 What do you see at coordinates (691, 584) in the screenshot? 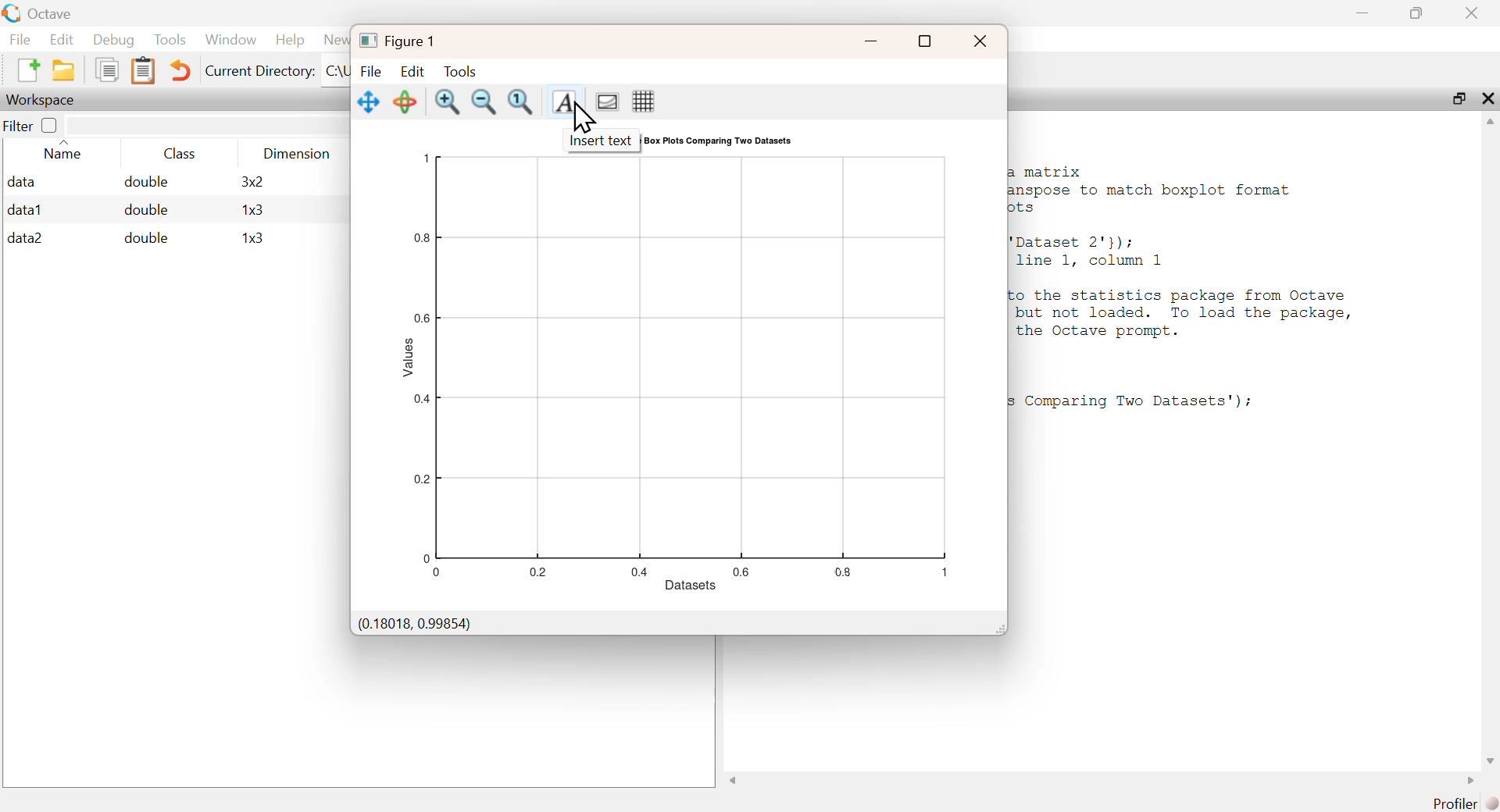
I see `Datasets` at bounding box center [691, 584].